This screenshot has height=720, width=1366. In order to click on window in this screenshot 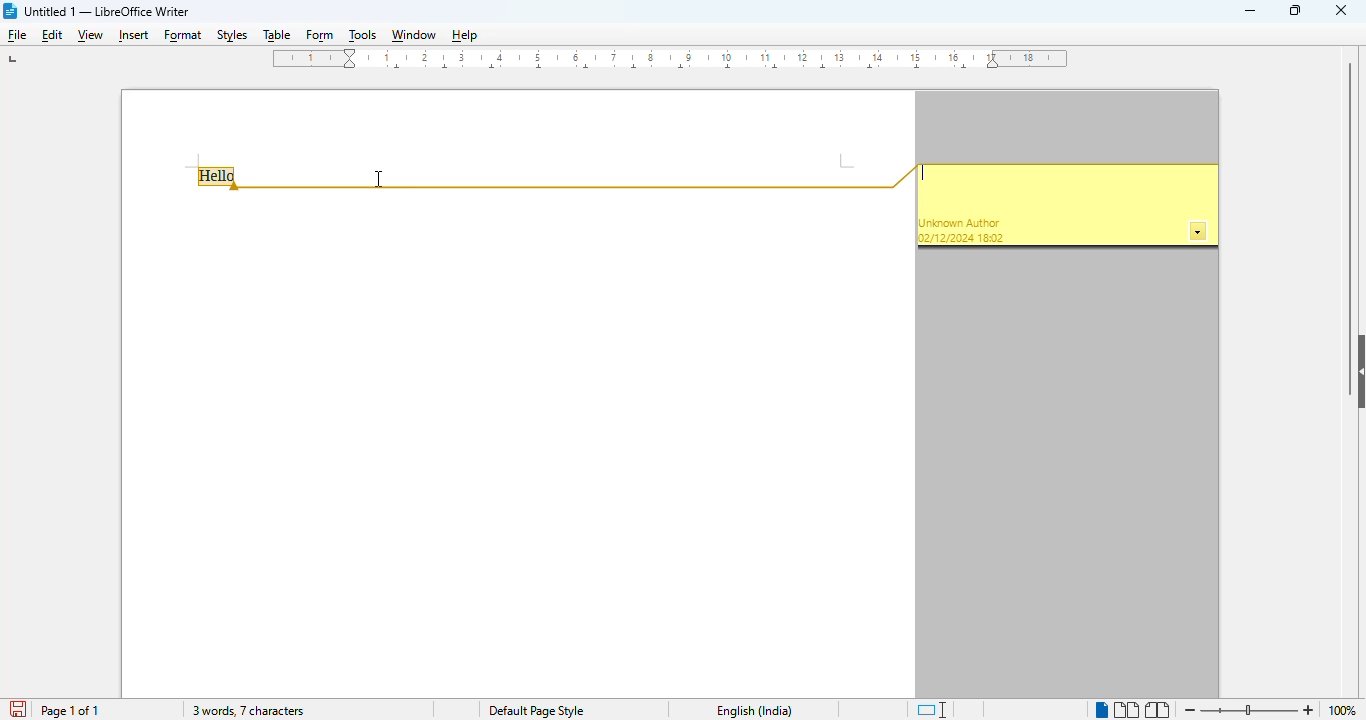, I will do `click(413, 35)`.